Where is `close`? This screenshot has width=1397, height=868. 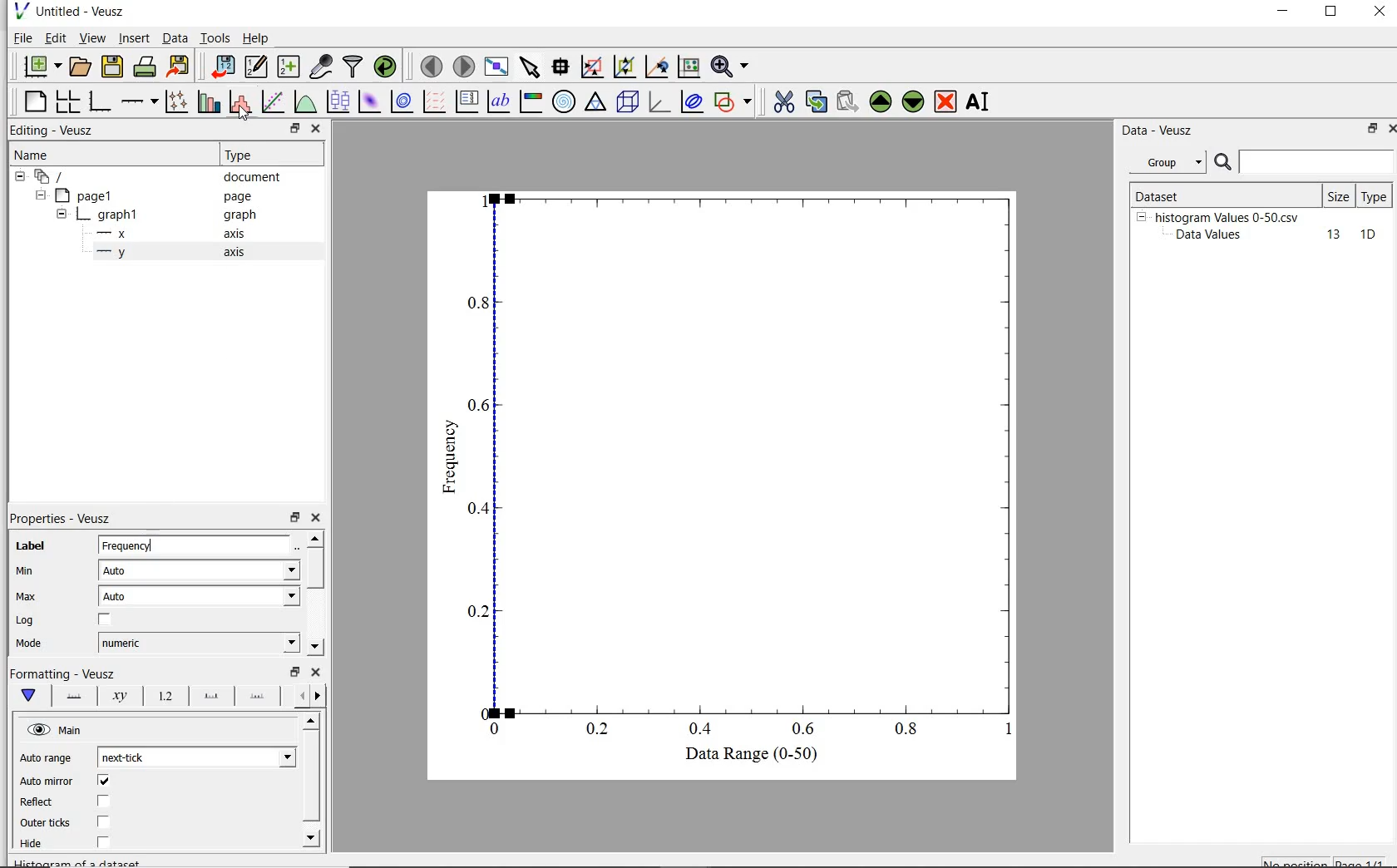 close is located at coordinates (1380, 12).